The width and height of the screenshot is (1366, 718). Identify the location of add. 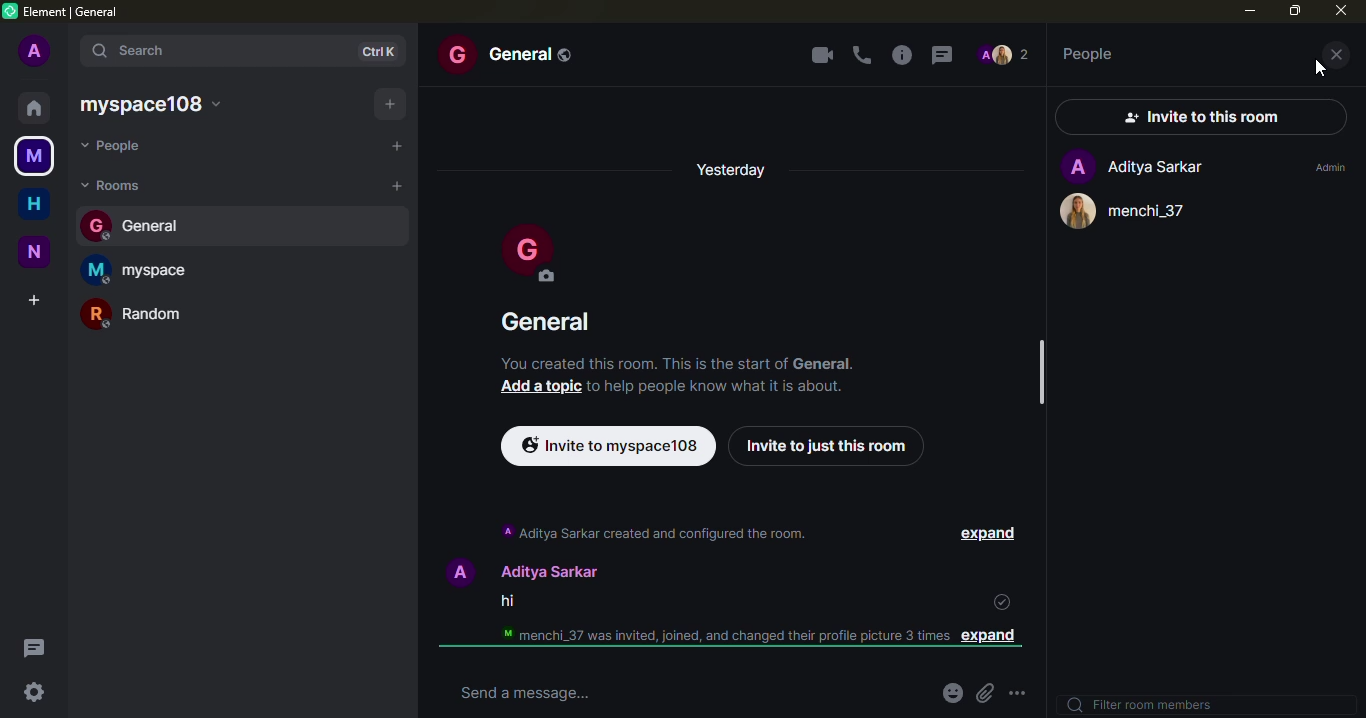
(396, 146).